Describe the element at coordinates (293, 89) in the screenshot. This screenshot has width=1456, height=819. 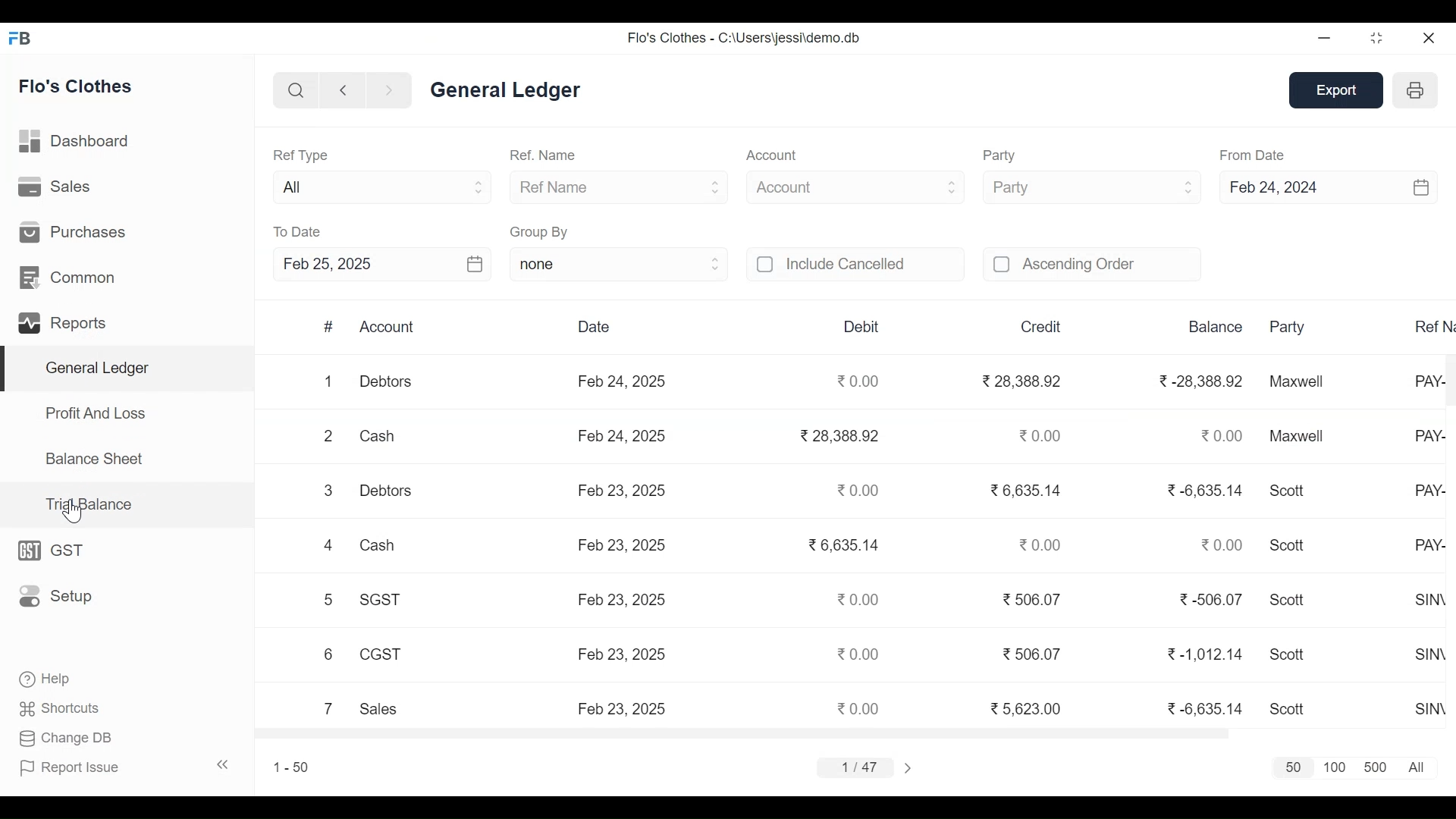
I see `Search` at that location.